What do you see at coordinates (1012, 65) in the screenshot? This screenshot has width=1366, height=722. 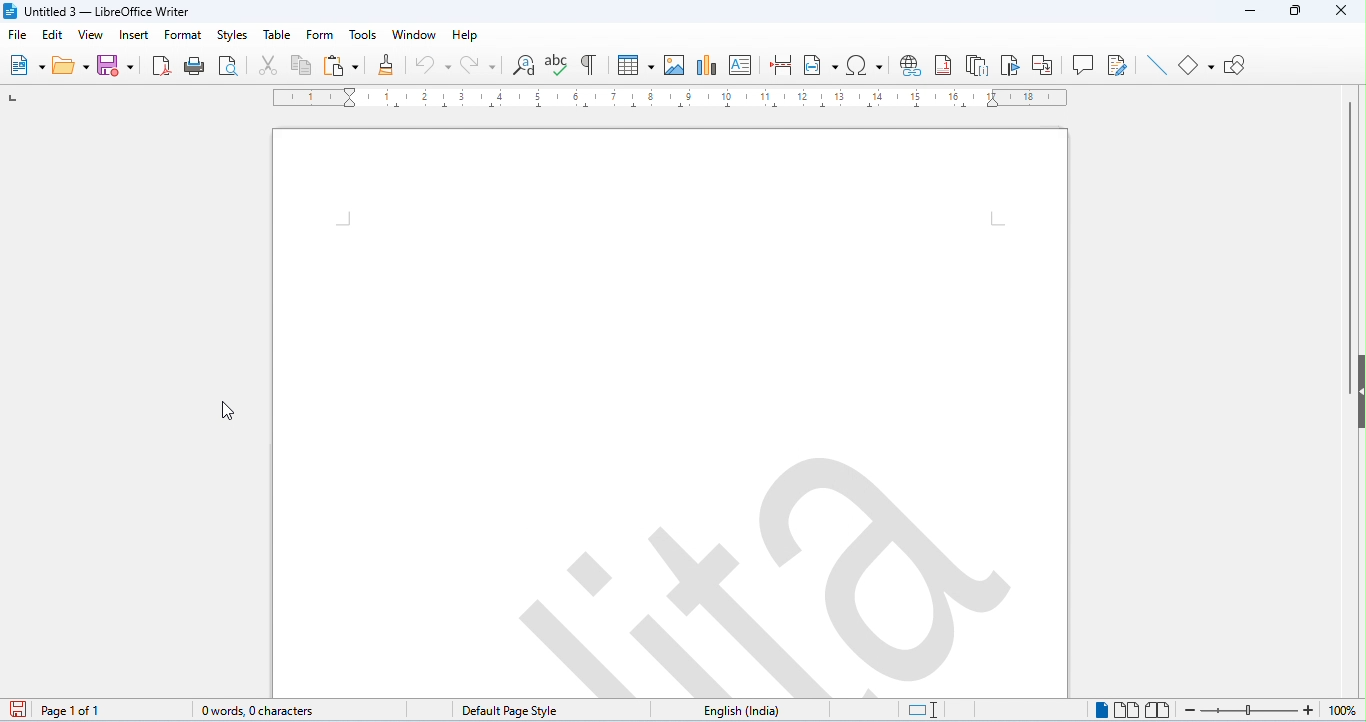 I see `insert bookmark` at bounding box center [1012, 65].